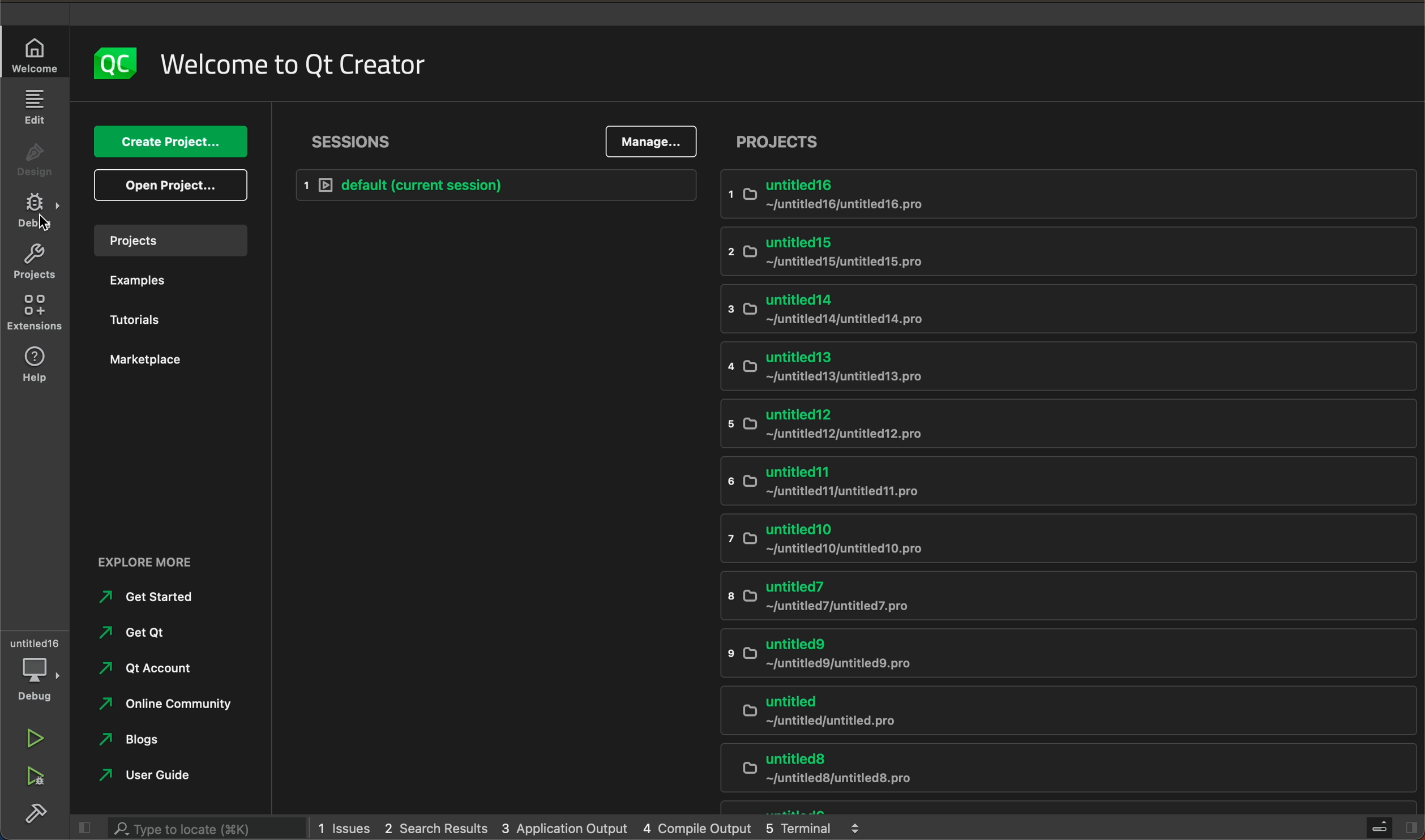 This screenshot has width=1425, height=840. I want to click on cursor, so click(46, 224).